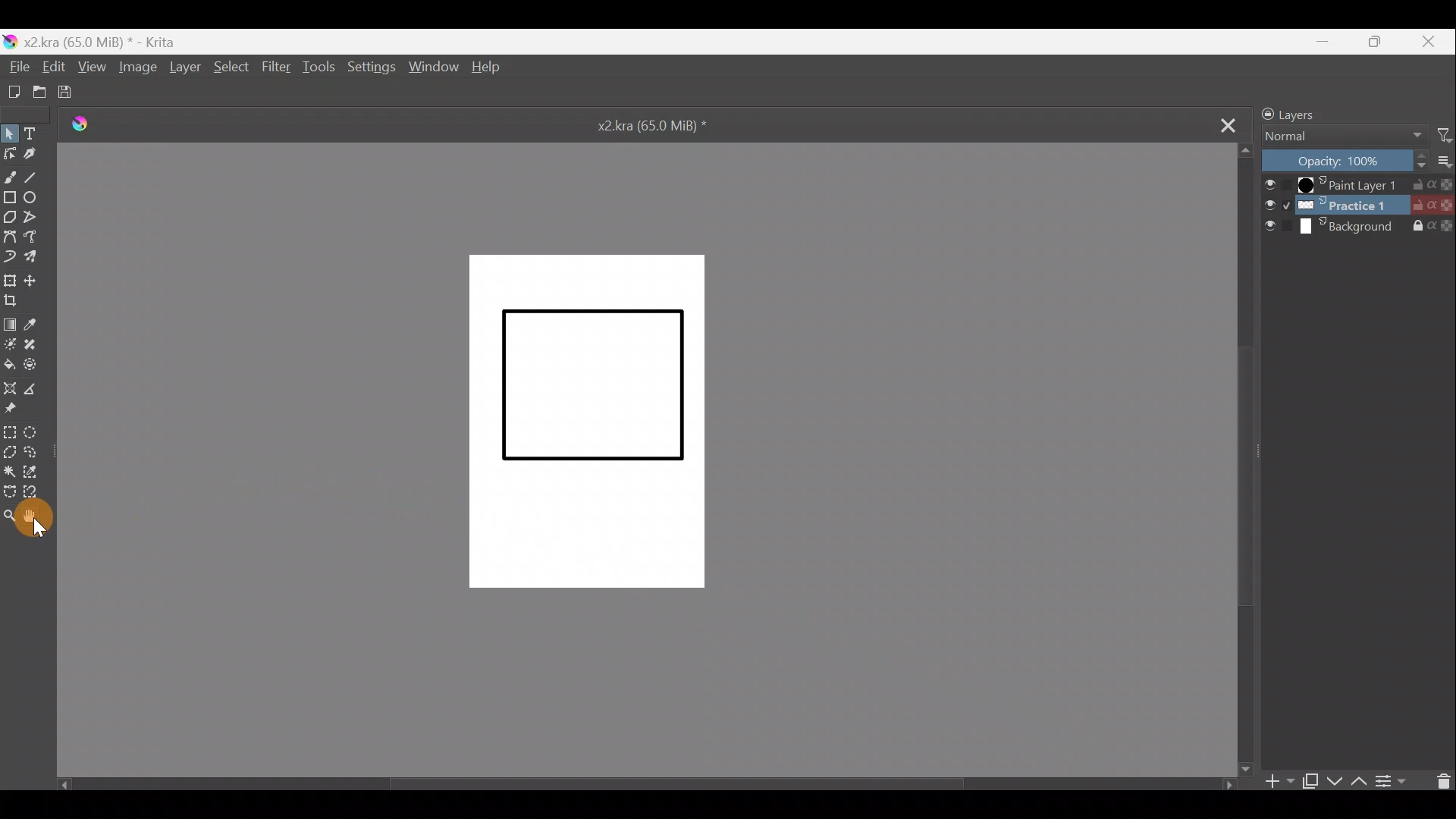 This screenshot has height=819, width=1456. What do you see at coordinates (9, 343) in the screenshot?
I see `Colourise mask tool` at bounding box center [9, 343].